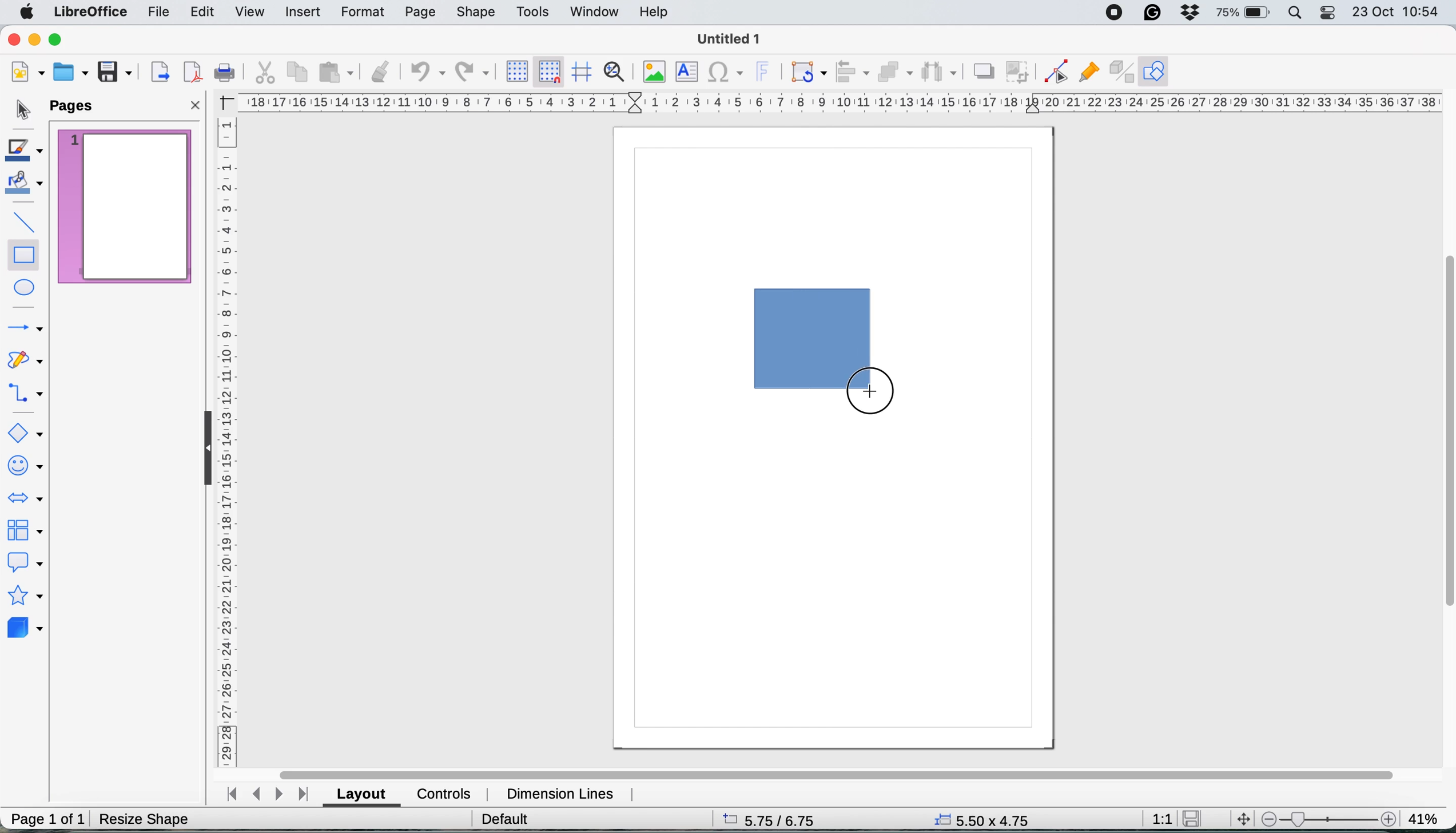 Image resolution: width=1456 pixels, height=833 pixels. I want to click on edit, so click(204, 13).